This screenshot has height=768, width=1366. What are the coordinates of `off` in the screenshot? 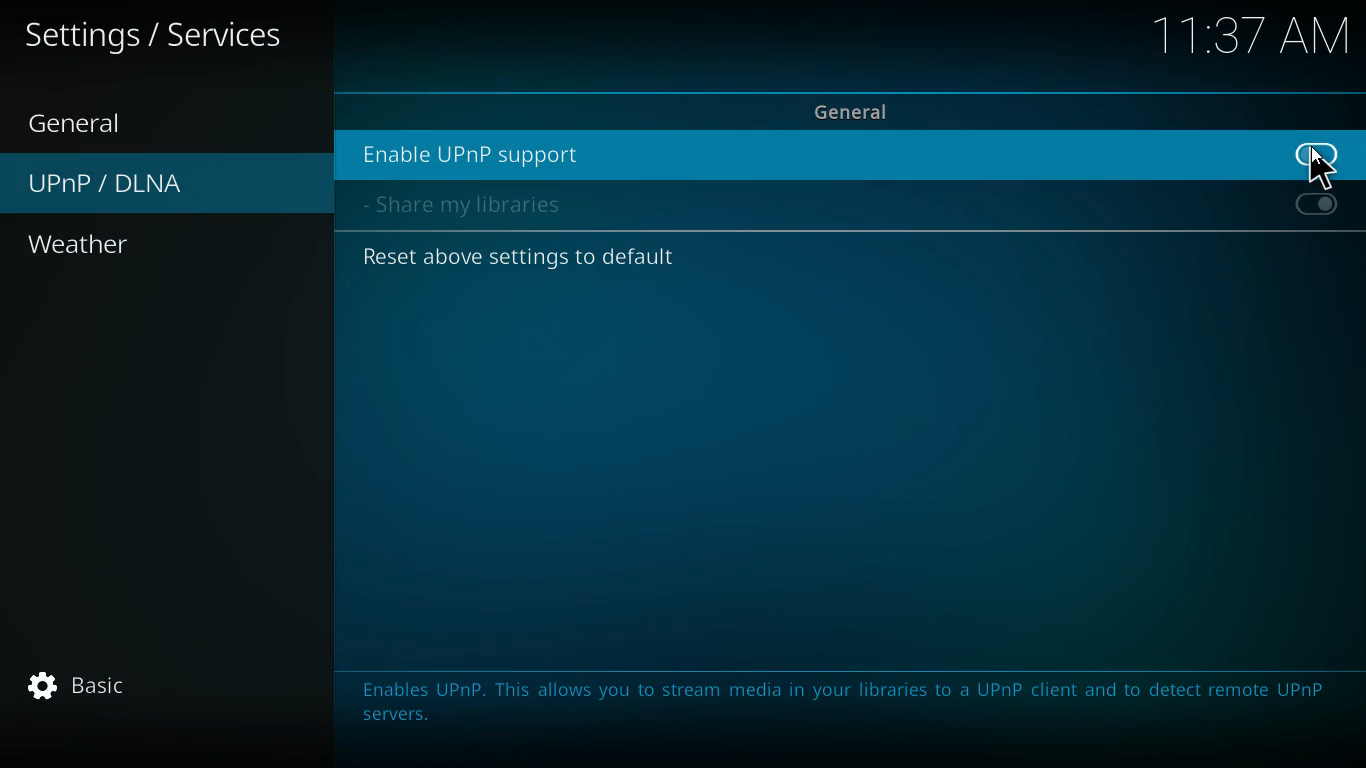 It's located at (1325, 155).